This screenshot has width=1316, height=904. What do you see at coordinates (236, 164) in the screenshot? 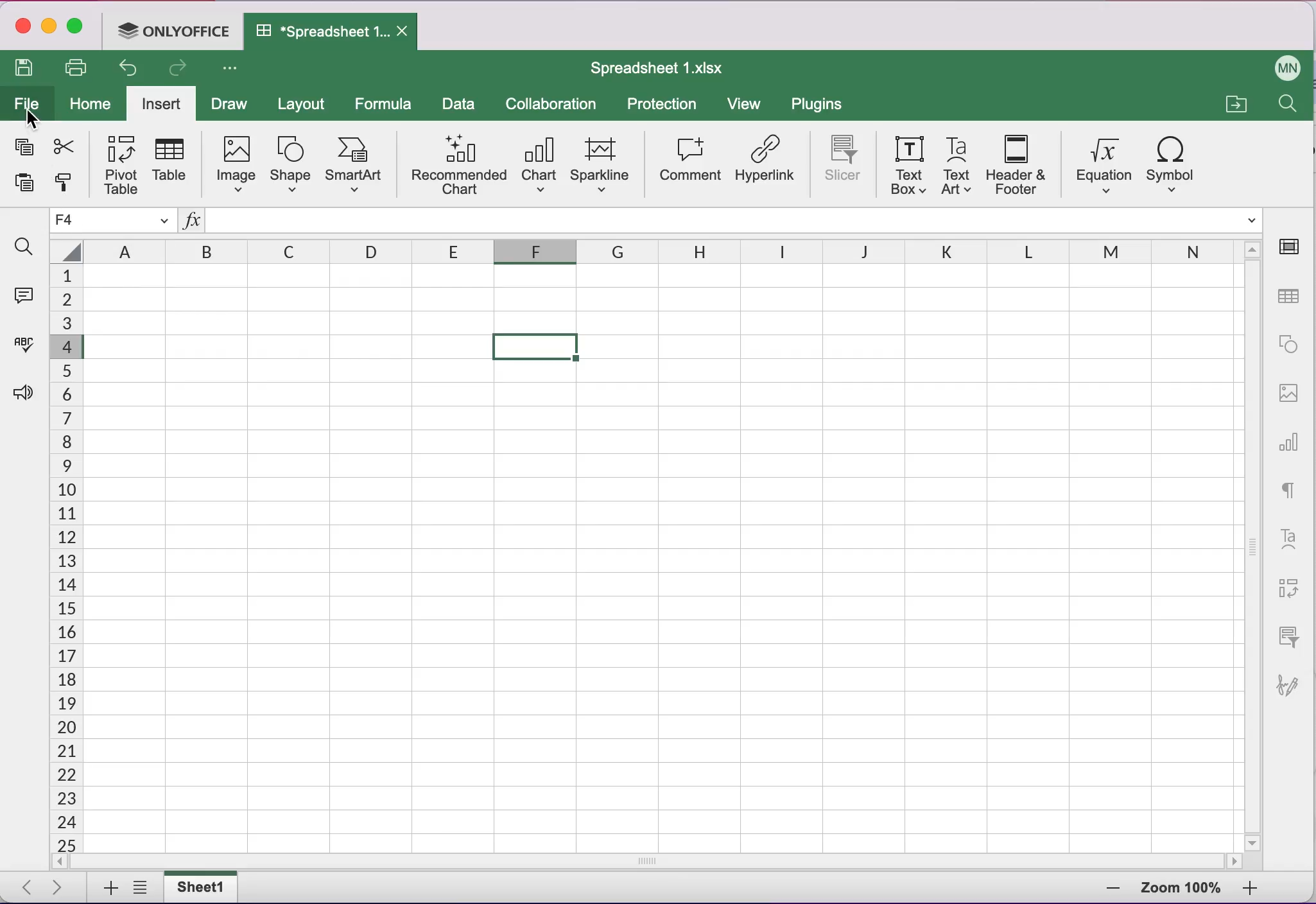
I see `image` at bounding box center [236, 164].